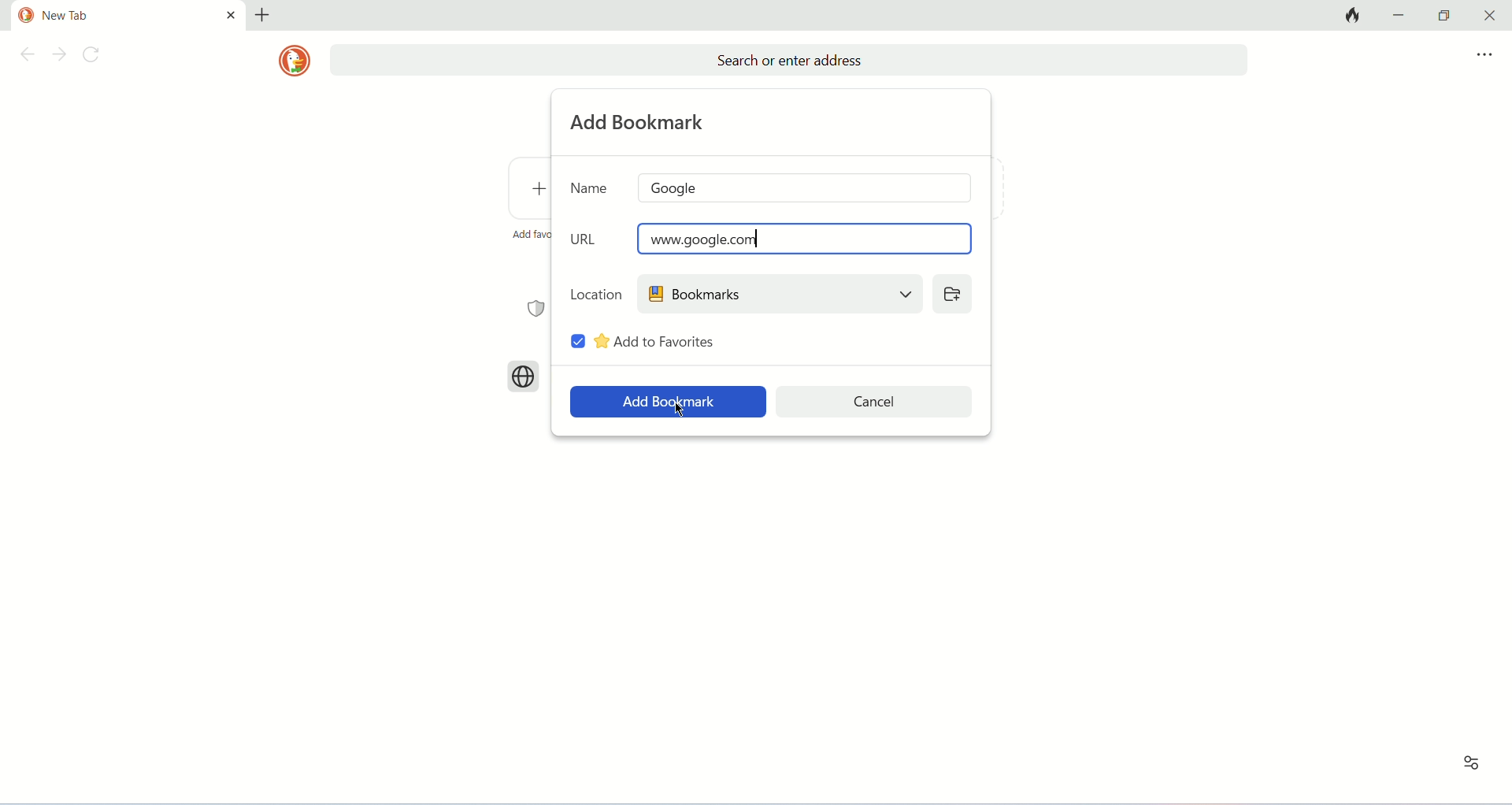 The image size is (1512, 805). Describe the element at coordinates (1471, 763) in the screenshot. I see `view option` at that location.